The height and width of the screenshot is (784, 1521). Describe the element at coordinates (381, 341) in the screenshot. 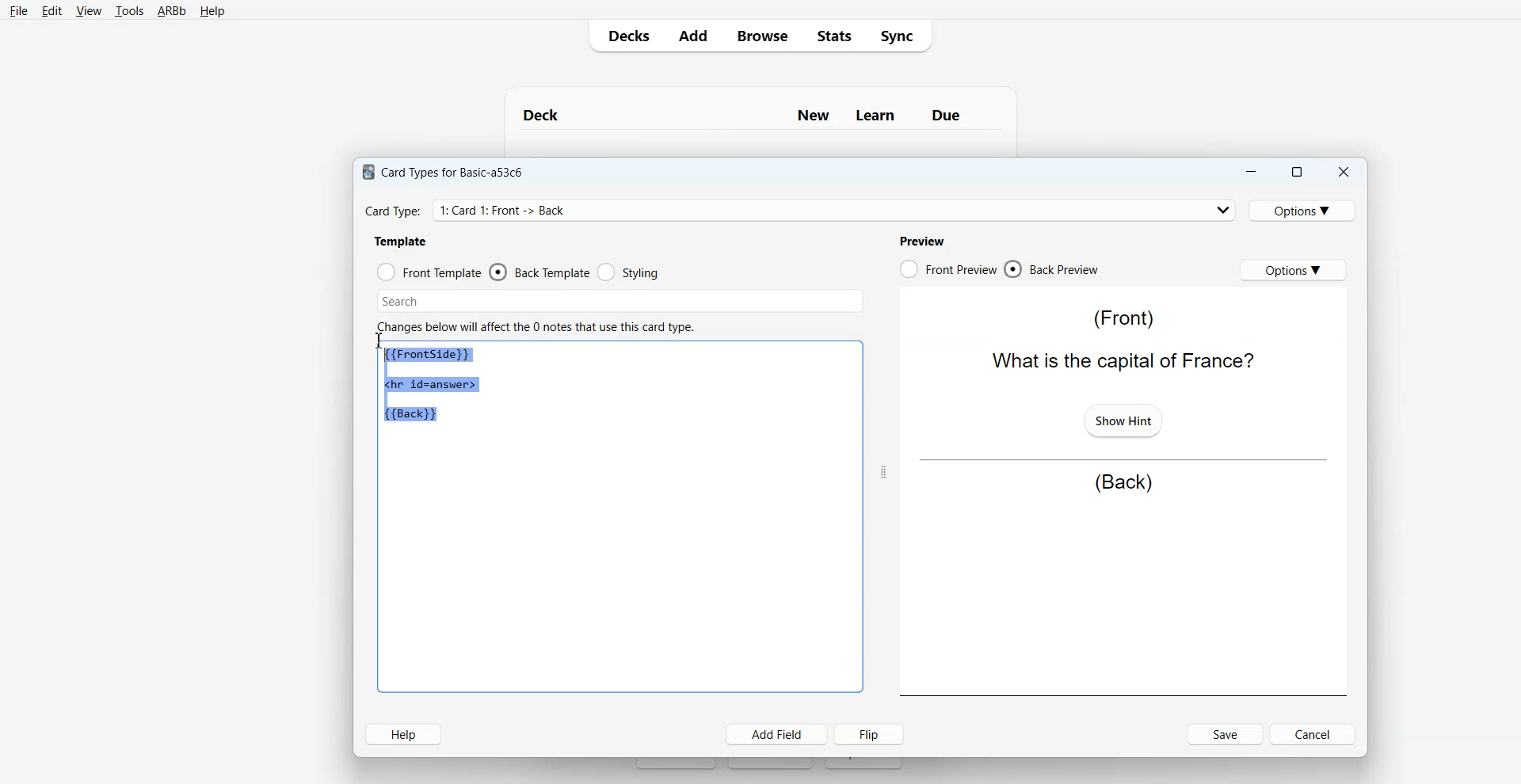

I see `Text cursor` at that location.